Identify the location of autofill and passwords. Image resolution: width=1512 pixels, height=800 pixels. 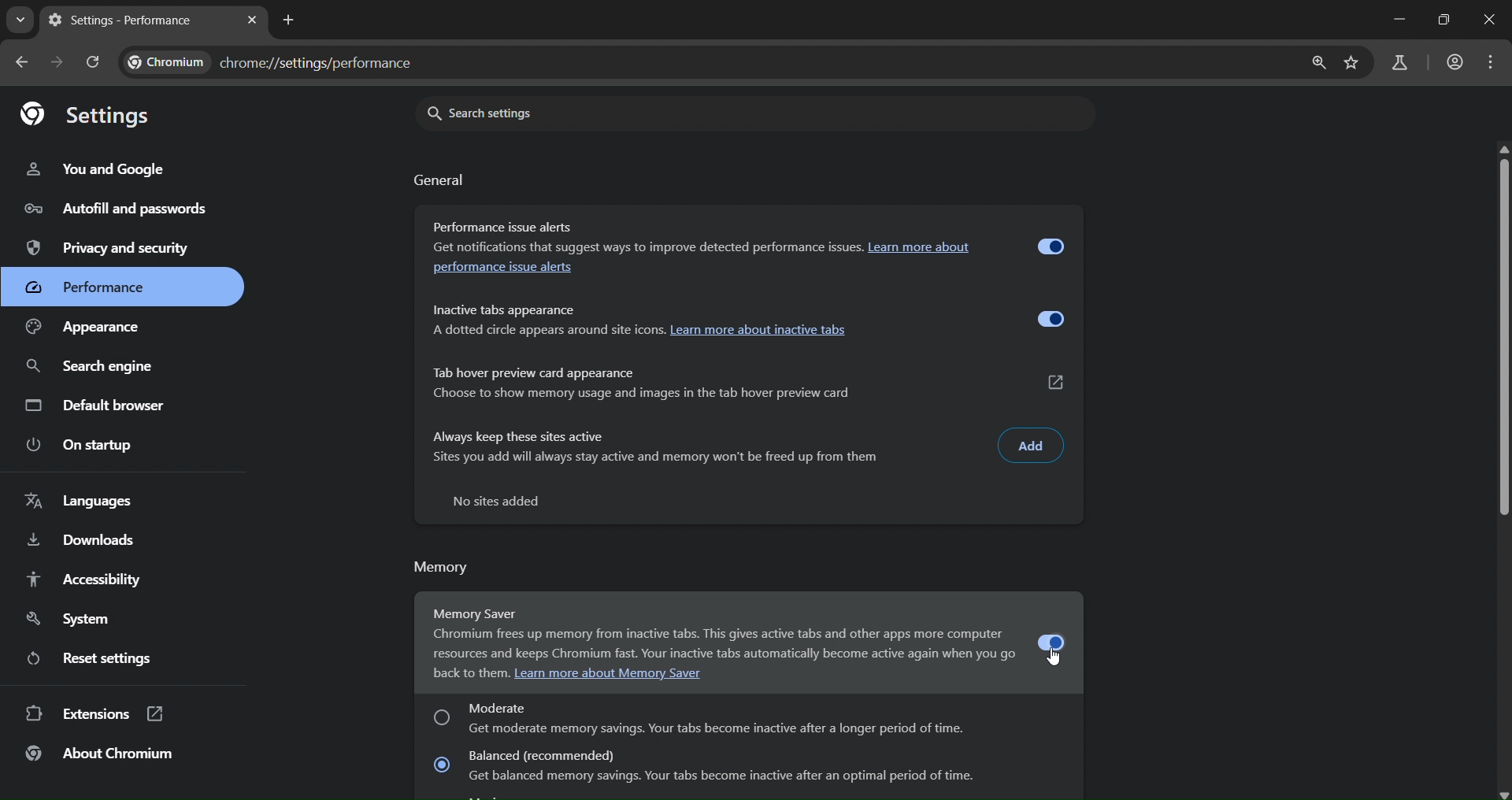
(121, 210).